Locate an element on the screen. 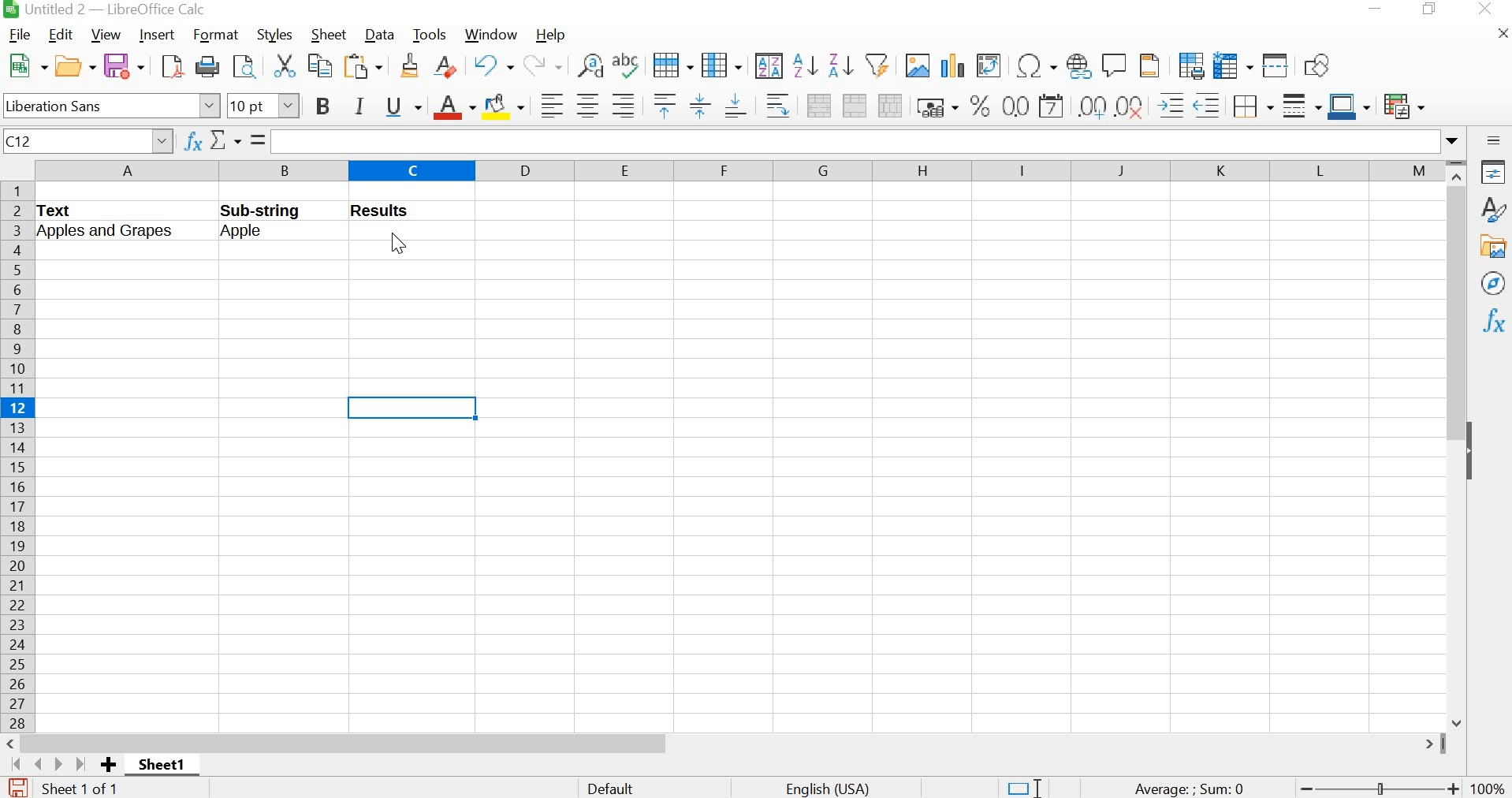 This screenshot has height=798, width=1512. paste is located at coordinates (365, 66).